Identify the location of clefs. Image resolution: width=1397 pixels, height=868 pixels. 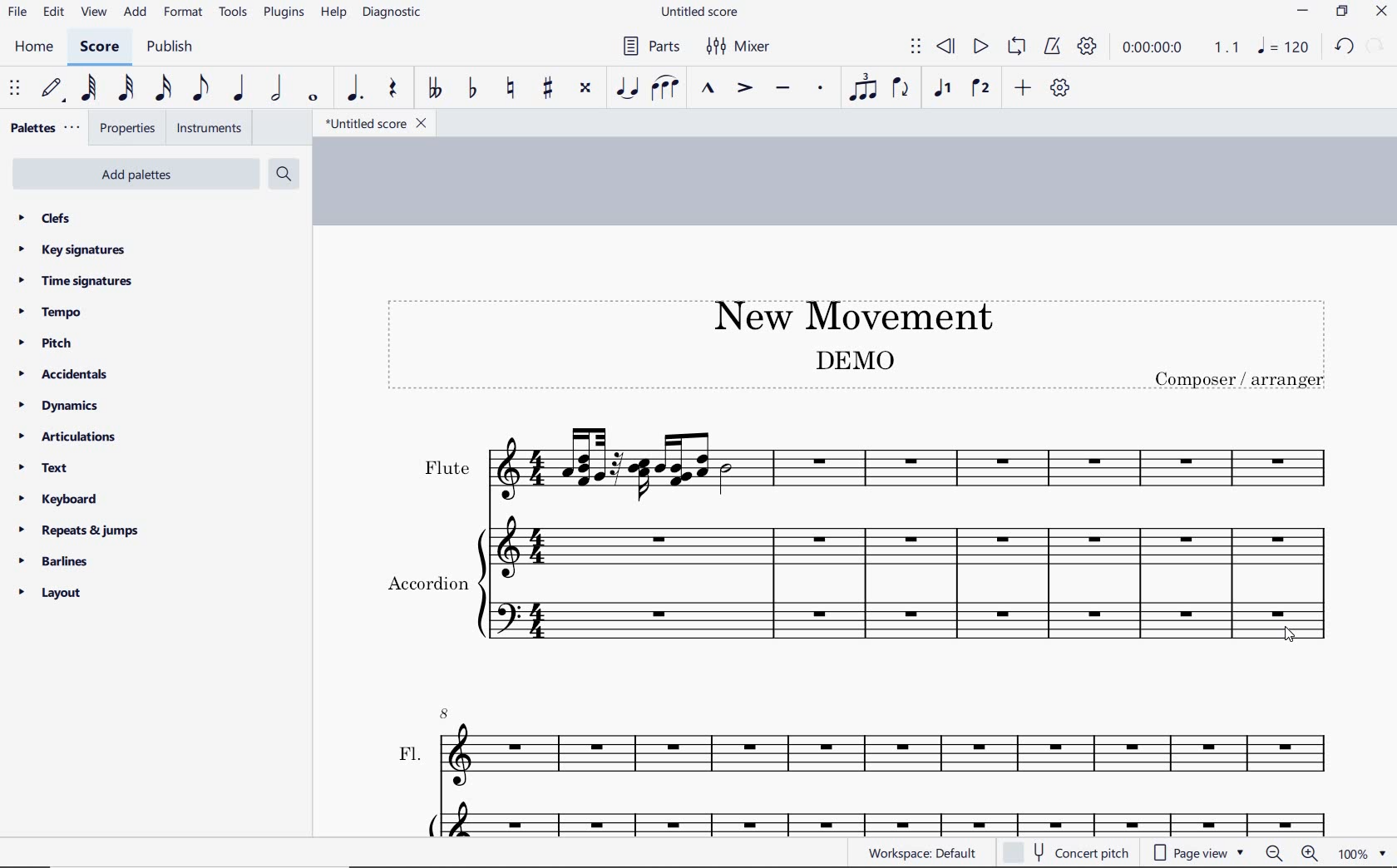
(46, 218).